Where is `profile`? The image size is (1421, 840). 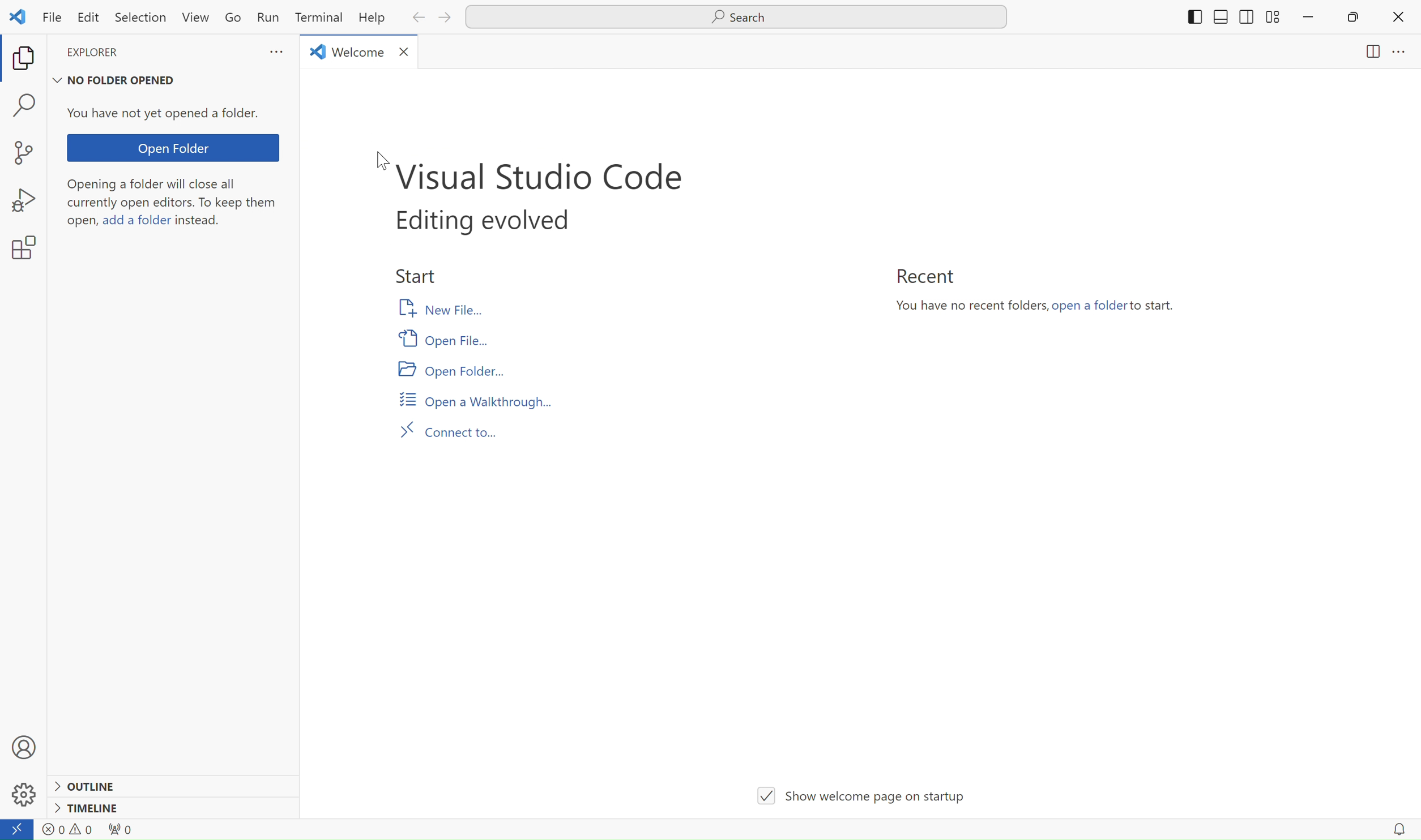 profile is located at coordinates (25, 743).